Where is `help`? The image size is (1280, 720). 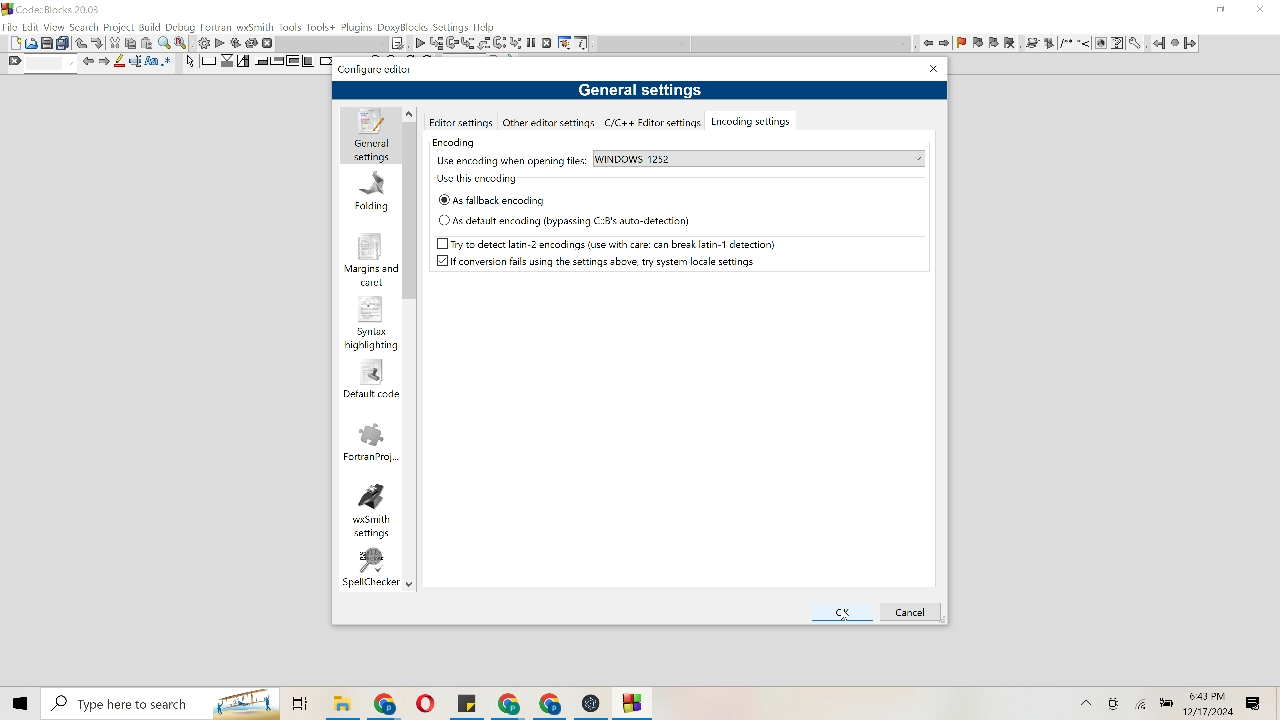
help is located at coordinates (484, 27).